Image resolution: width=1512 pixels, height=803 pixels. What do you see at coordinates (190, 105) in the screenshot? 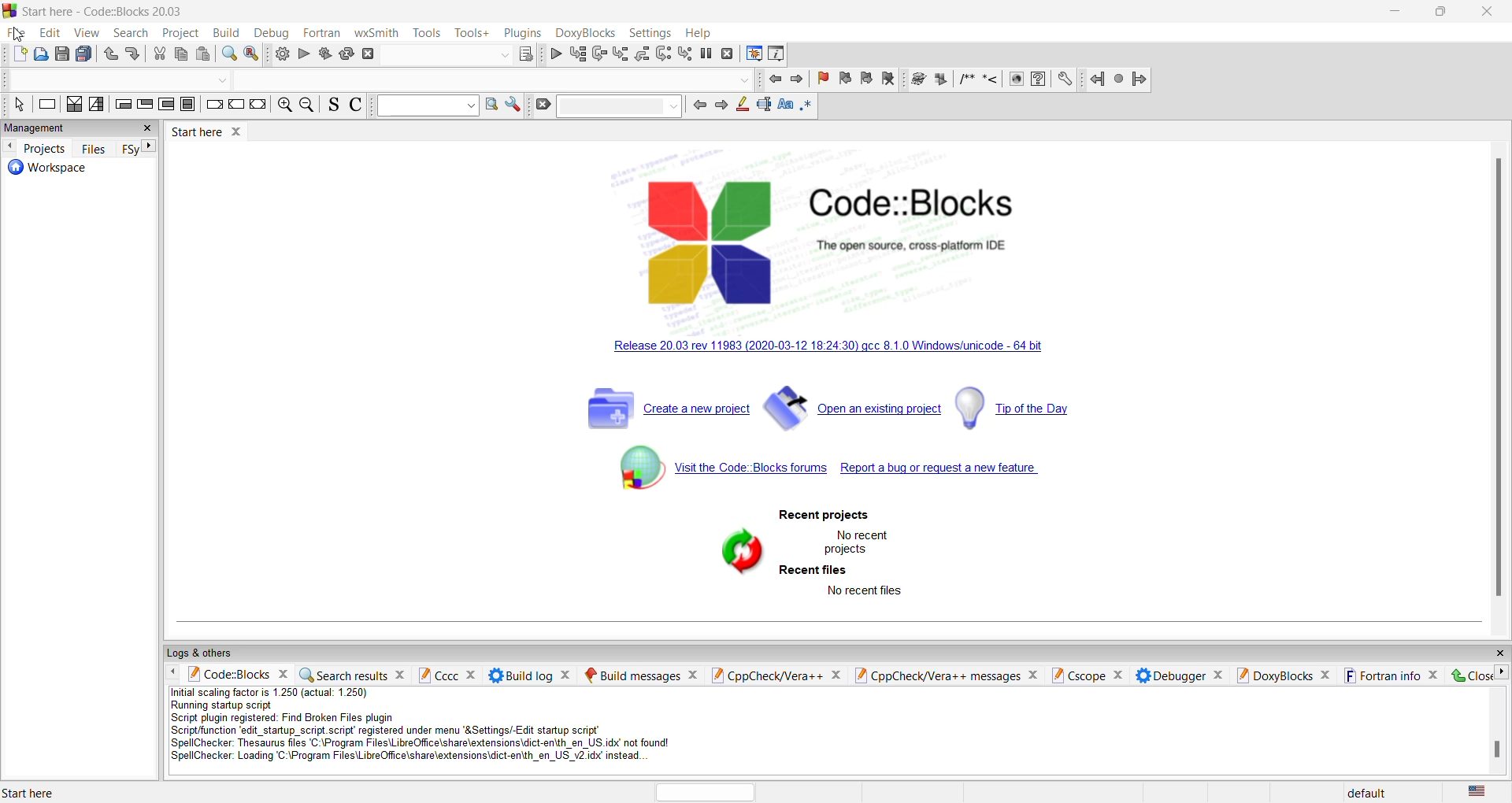
I see `block instructions` at bounding box center [190, 105].